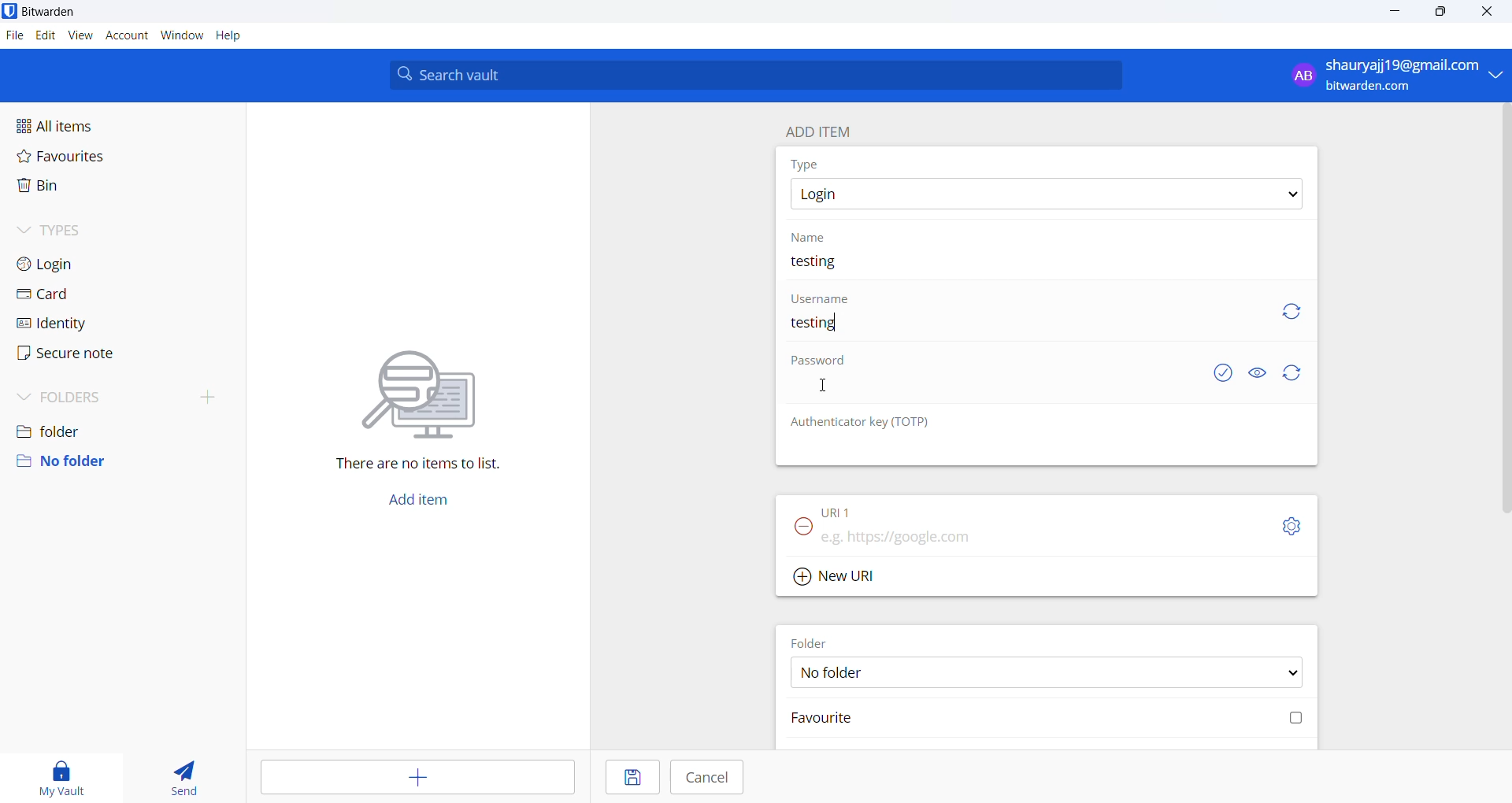 This screenshot has height=803, width=1512. Describe the element at coordinates (76, 324) in the screenshot. I see `identity` at that location.